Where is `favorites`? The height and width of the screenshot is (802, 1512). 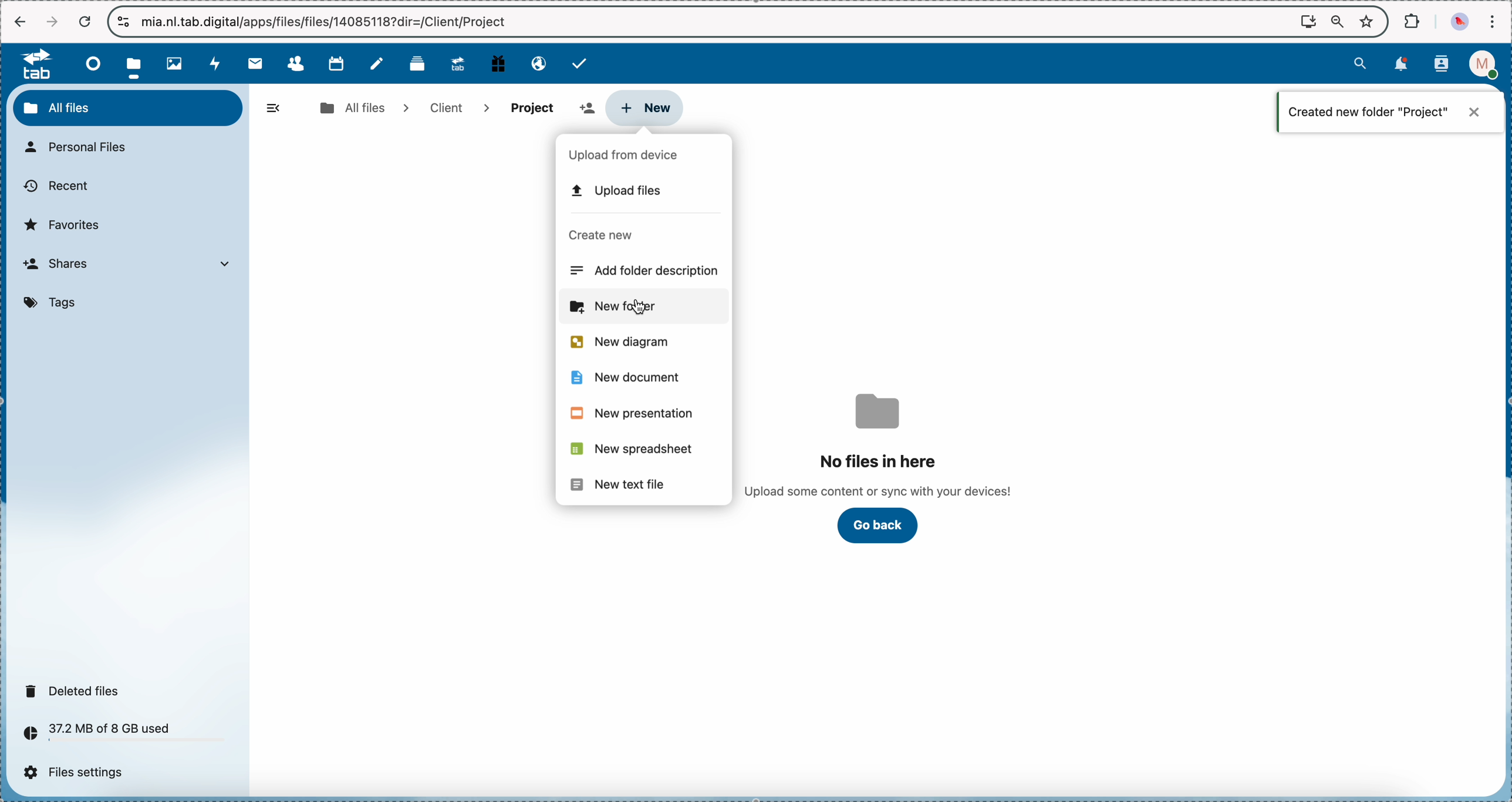
favorites is located at coordinates (1369, 21).